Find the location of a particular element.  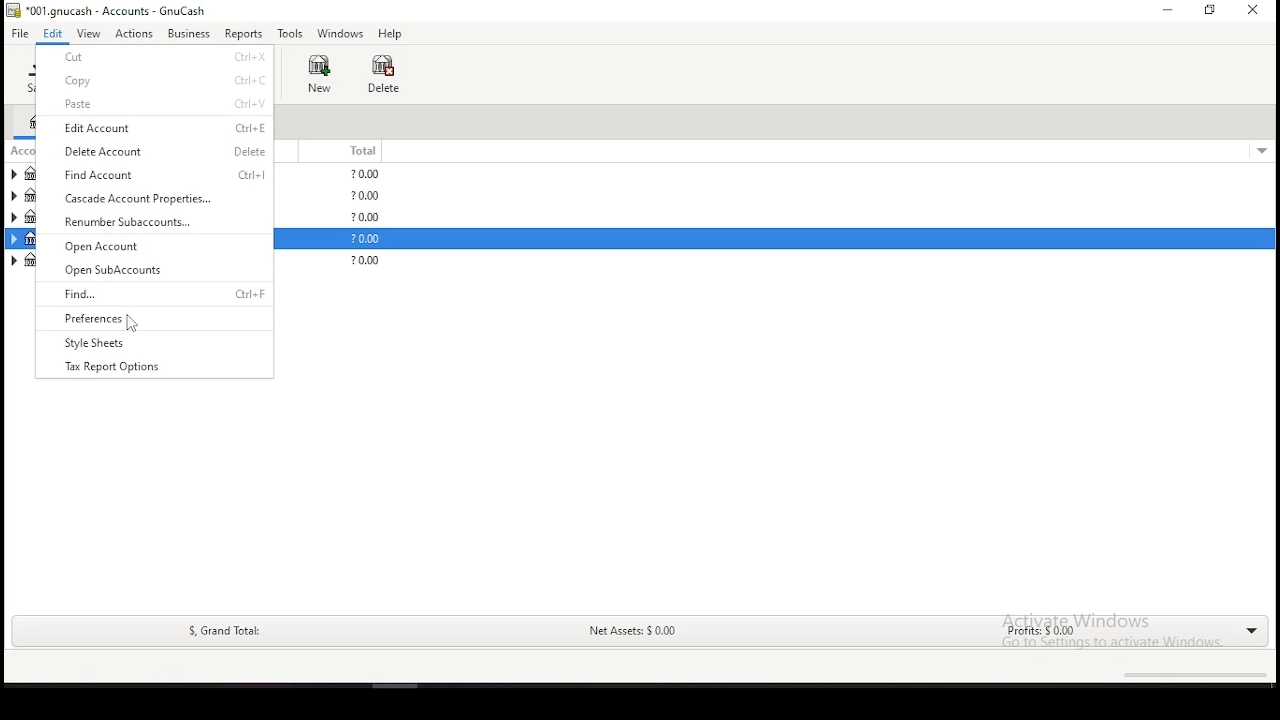

delete account is located at coordinates (162, 152).